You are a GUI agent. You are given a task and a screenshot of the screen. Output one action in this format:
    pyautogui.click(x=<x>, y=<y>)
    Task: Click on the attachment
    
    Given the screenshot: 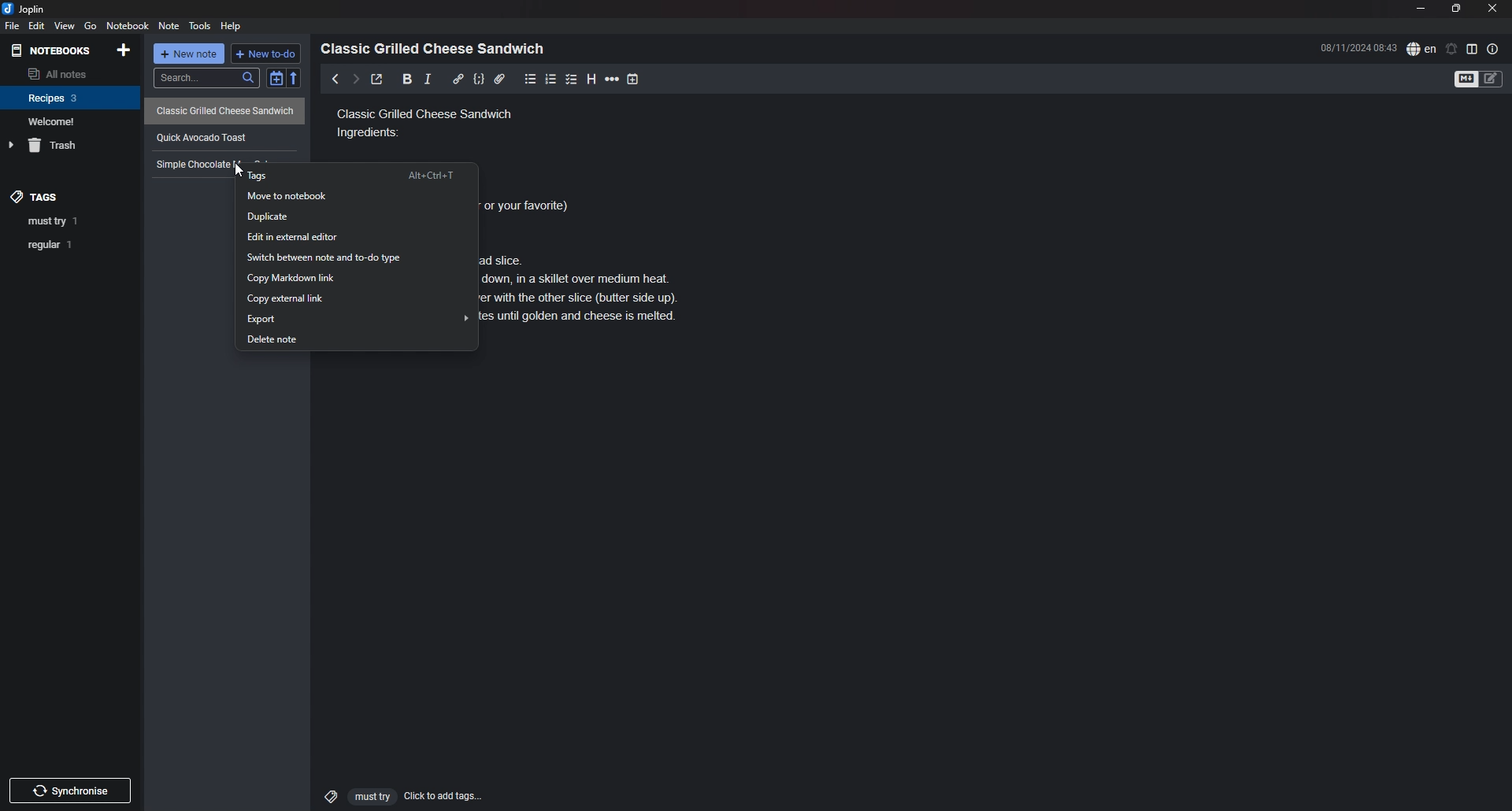 What is the action you would take?
    pyautogui.click(x=499, y=79)
    